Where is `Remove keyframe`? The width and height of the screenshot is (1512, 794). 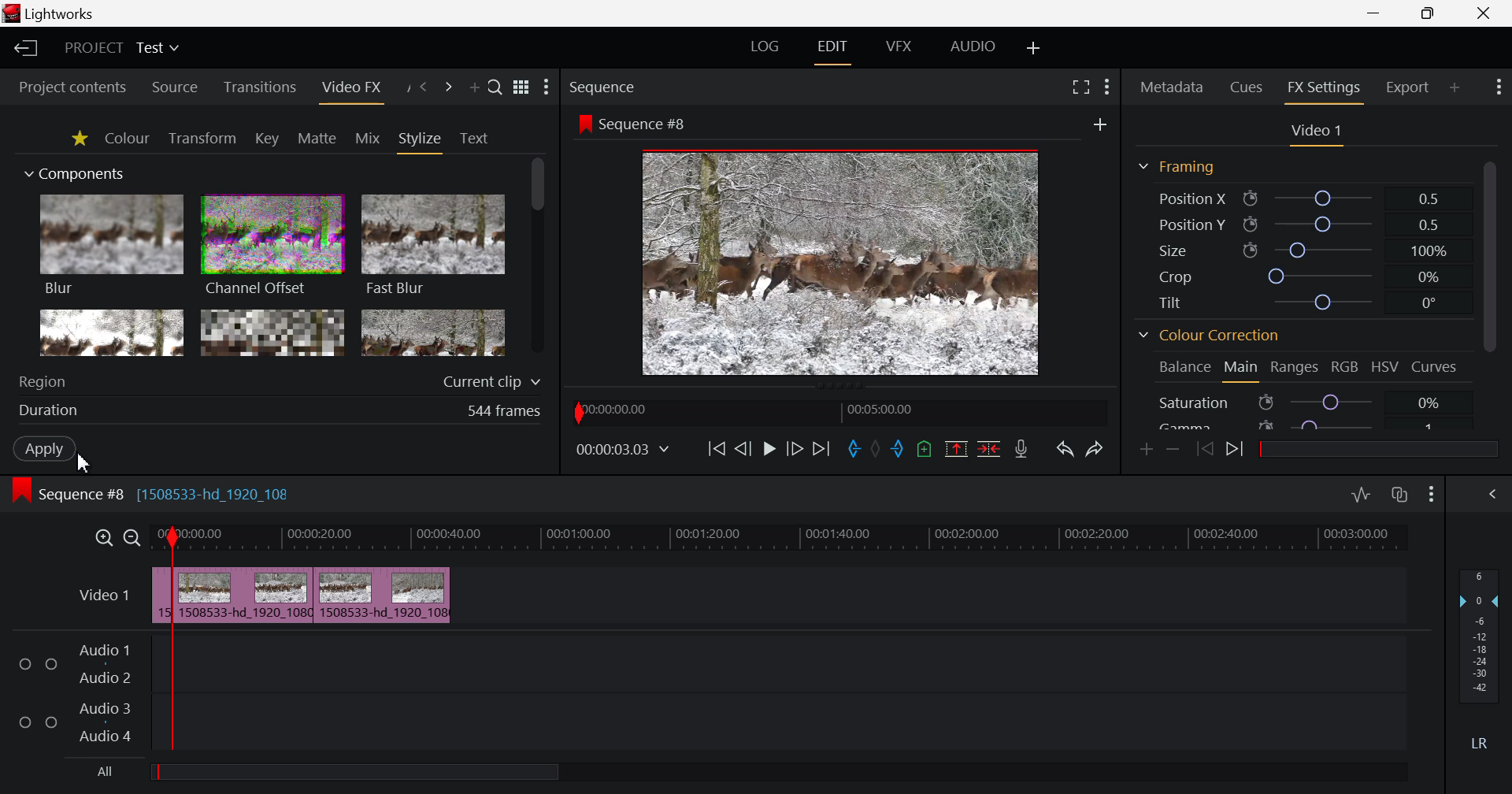
Remove keyframe is located at coordinates (1173, 449).